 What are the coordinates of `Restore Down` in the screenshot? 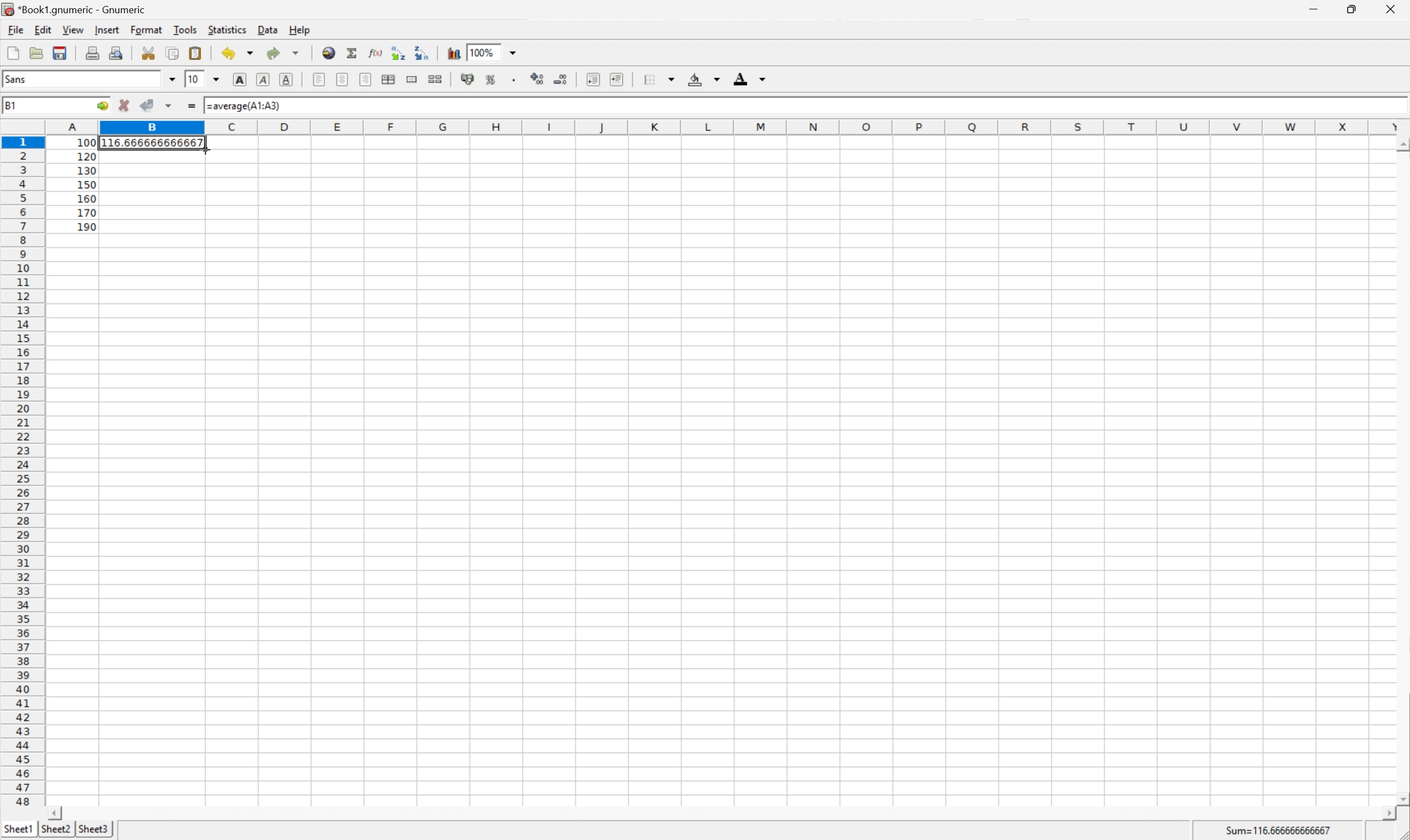 It's located at (1351, 10).